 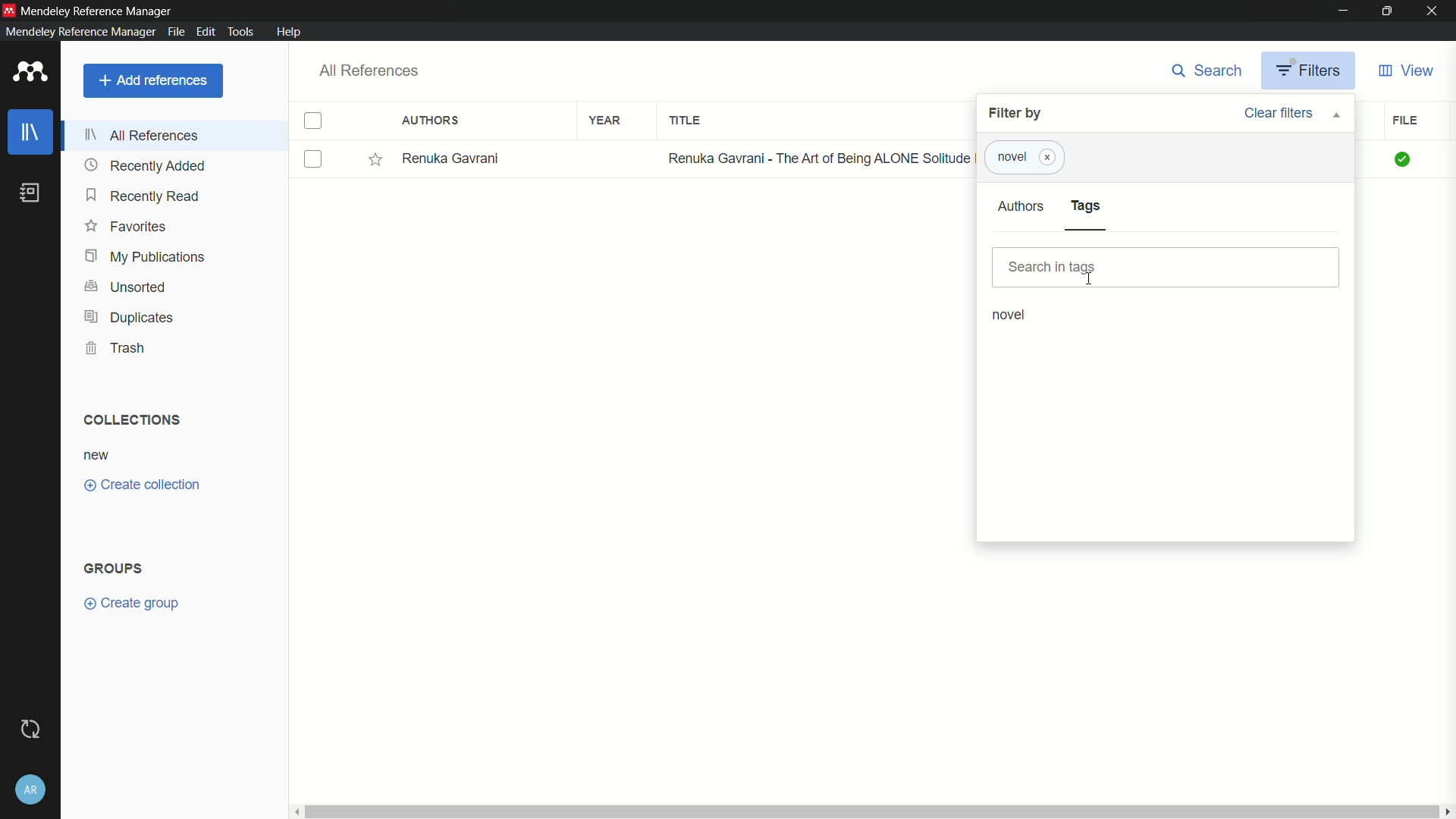 I want to click on help menu, so click(x=290, y=32).